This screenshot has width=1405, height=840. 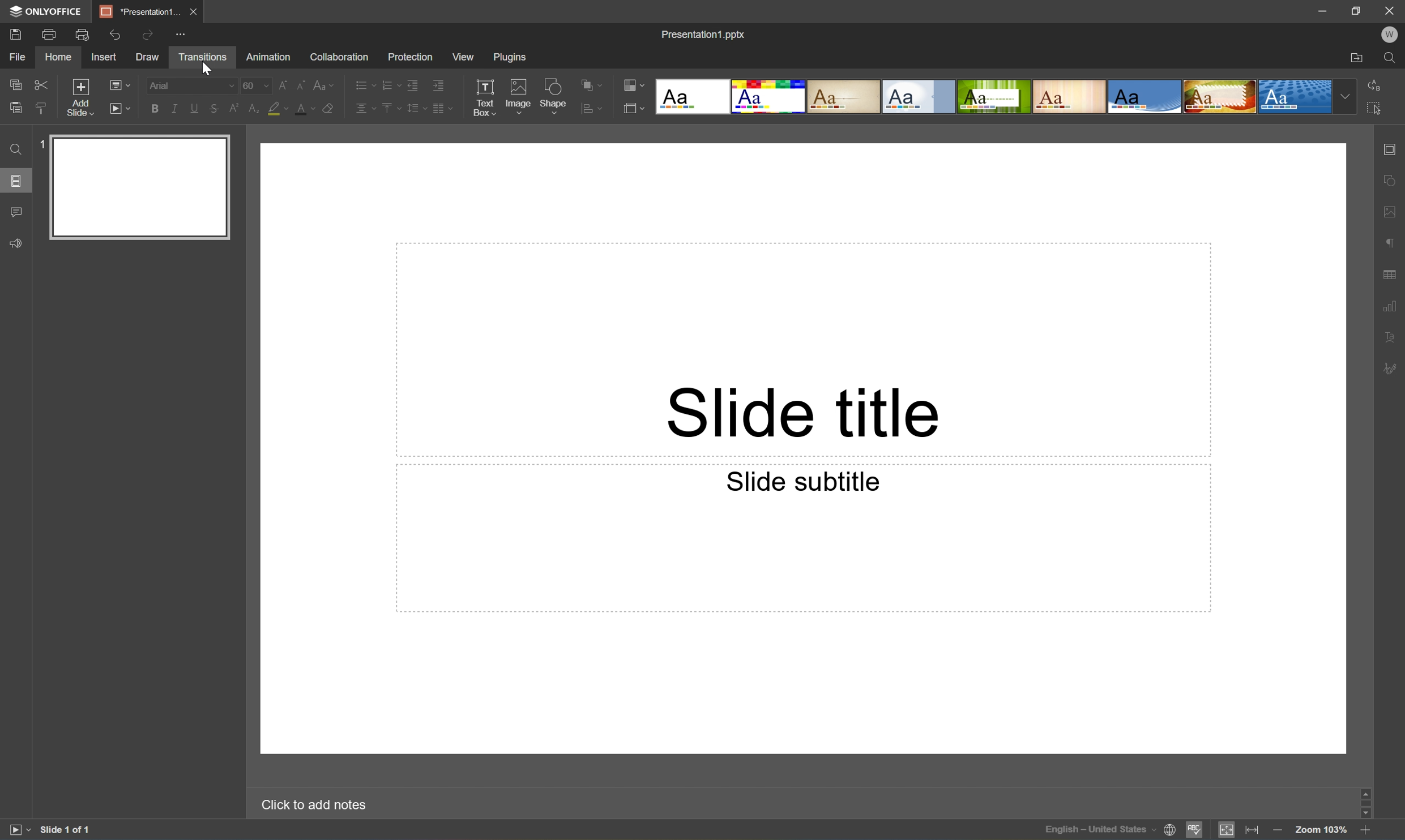 What do you see at coordinates (66, 832) in the screenshot?
I see `Slide 1 of 1` at bounding box center [66, 832].